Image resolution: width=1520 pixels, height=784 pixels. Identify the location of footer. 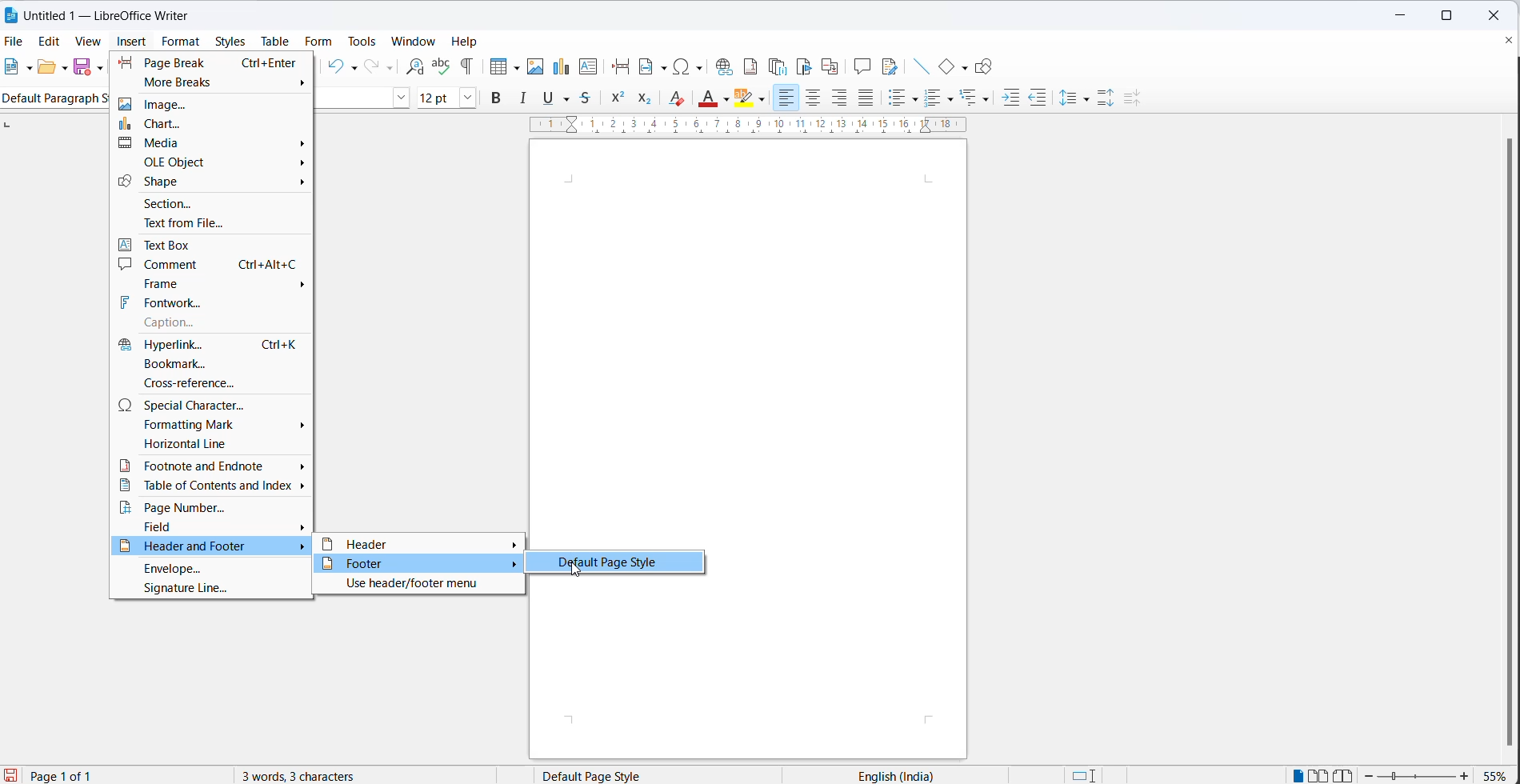
(421, 565).